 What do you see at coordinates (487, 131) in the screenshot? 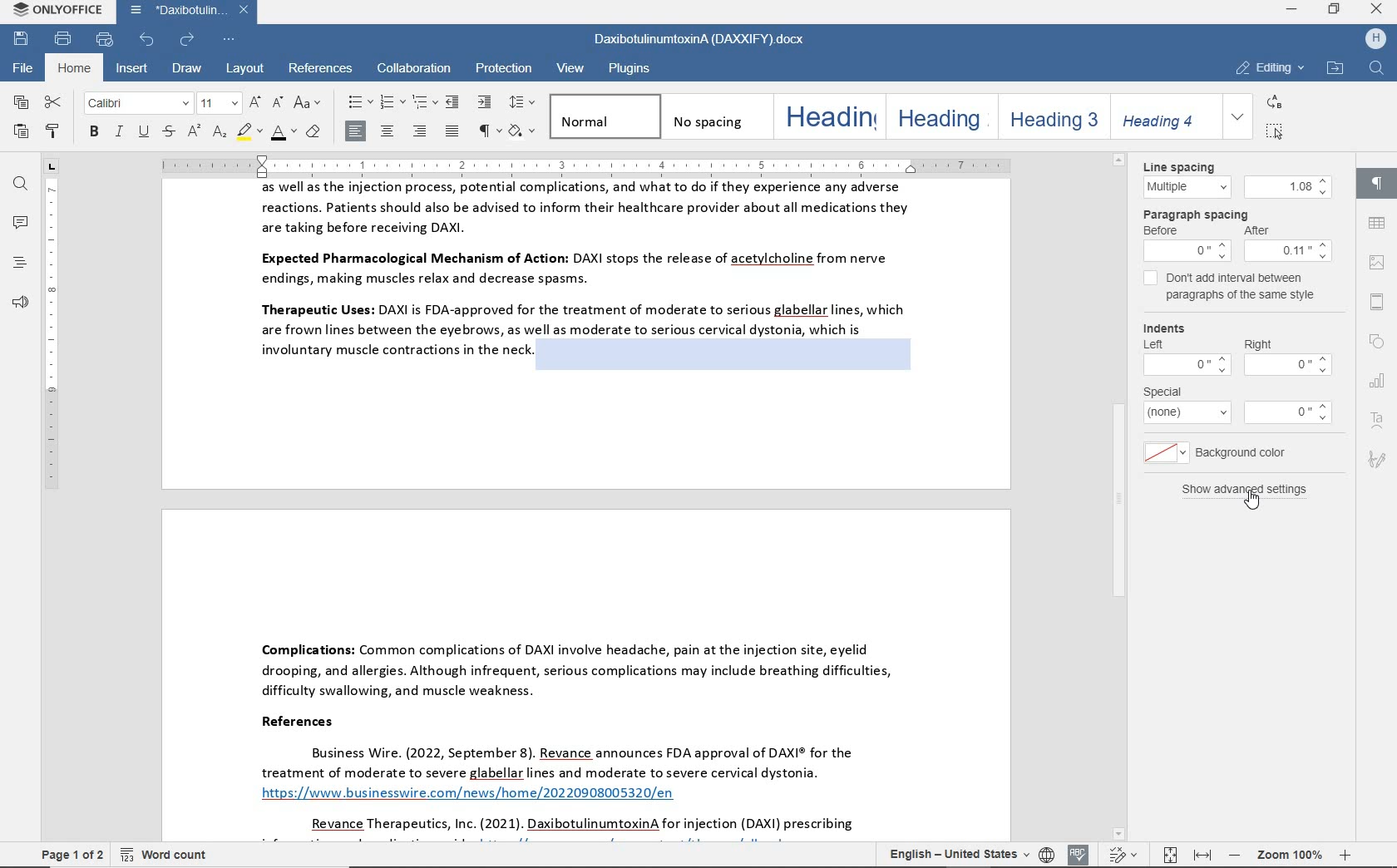
I see `nonprinting characters` at bounding box center [487, 131].